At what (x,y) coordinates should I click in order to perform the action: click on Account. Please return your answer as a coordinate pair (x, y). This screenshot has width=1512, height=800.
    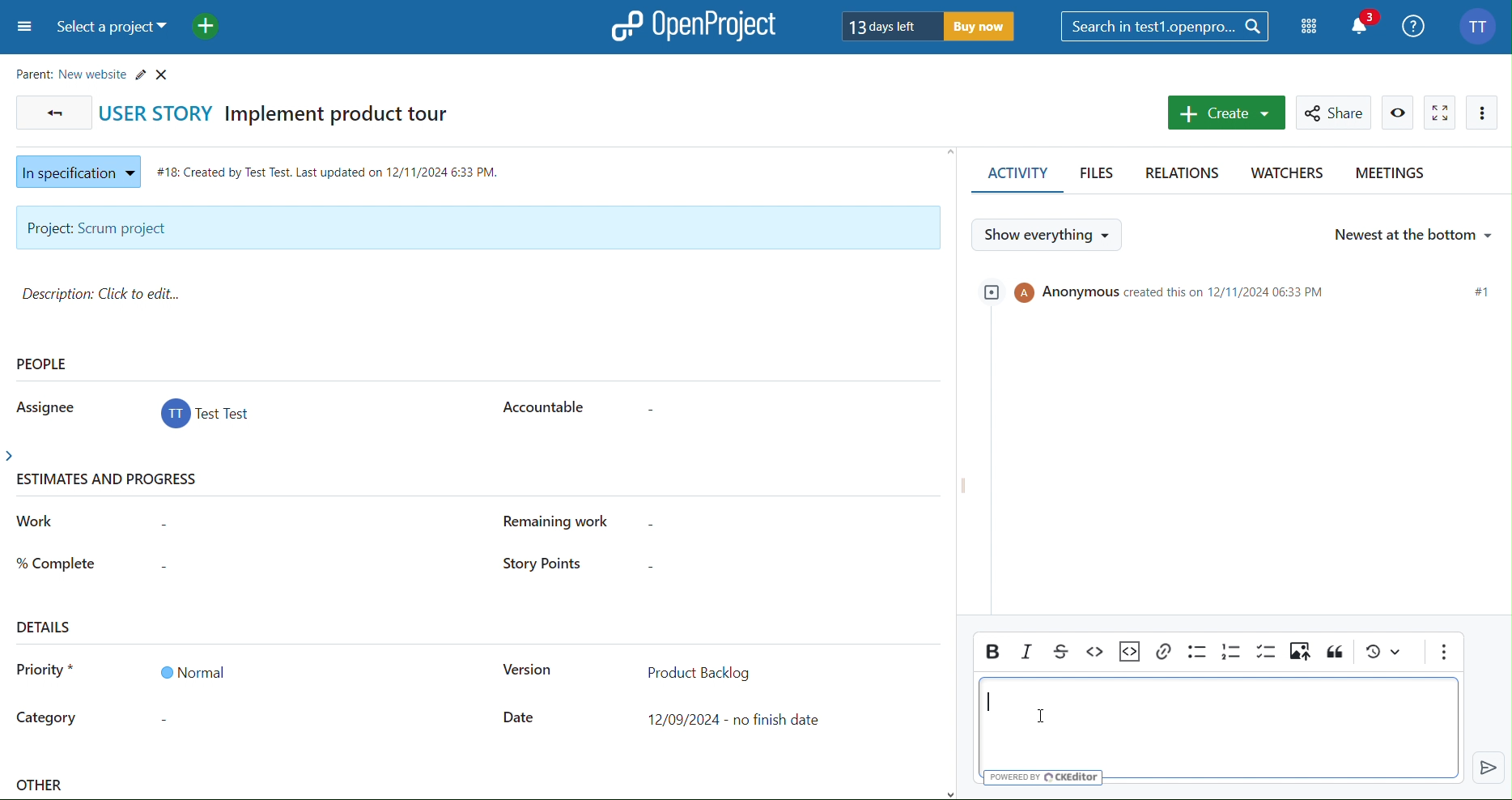
    Looking at the image, I should click on (208, 416).